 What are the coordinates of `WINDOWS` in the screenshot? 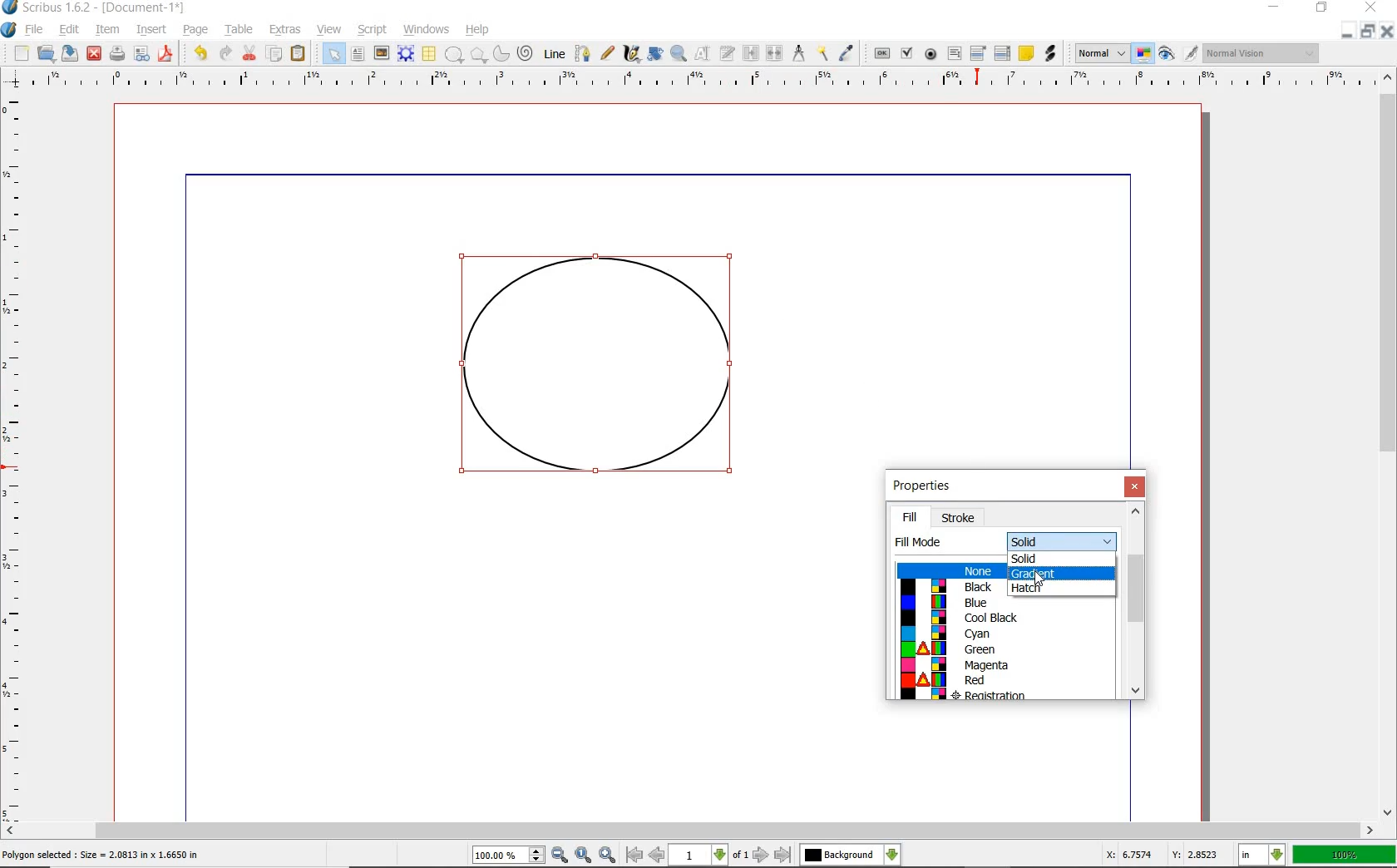 It's located at (427, 30).